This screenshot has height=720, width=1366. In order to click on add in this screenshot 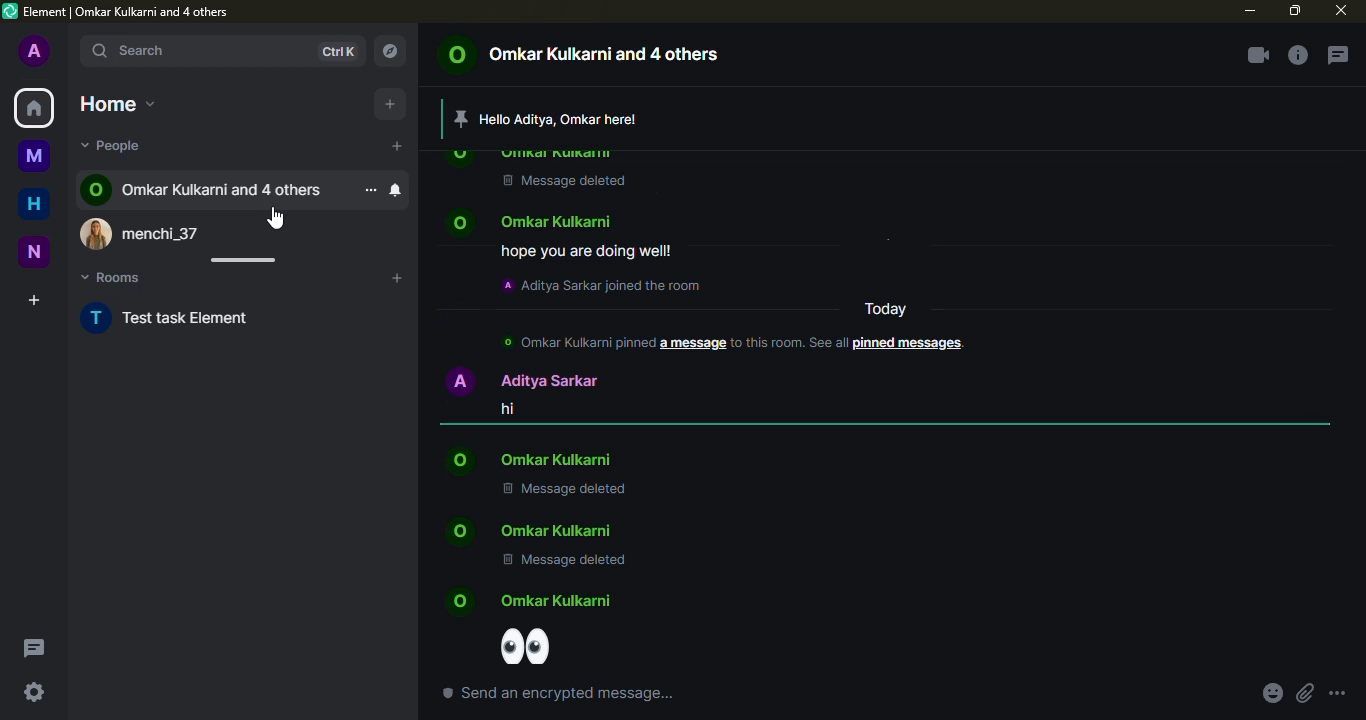, I will do `click(397, 147)`.